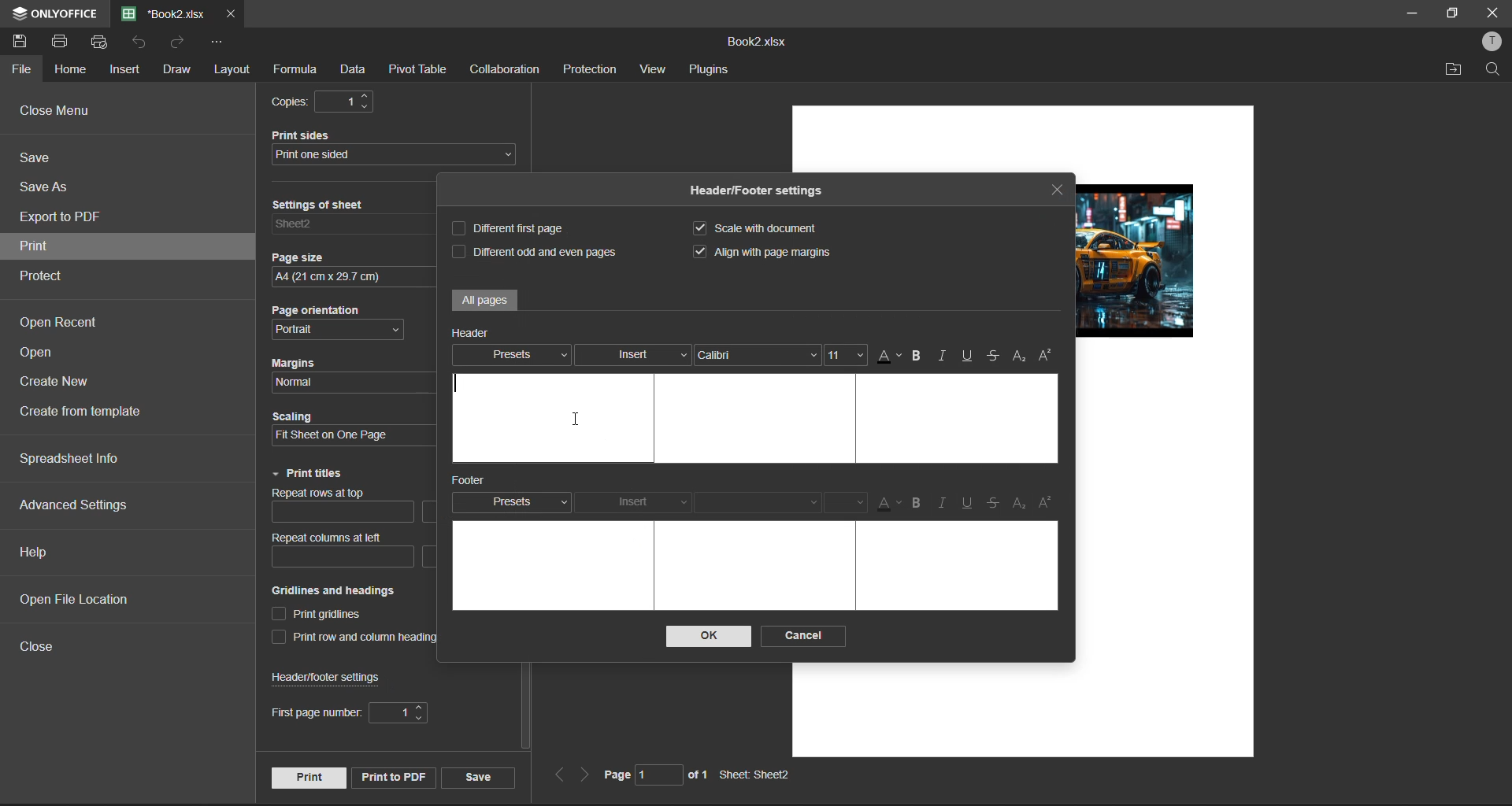 Image resolution: width=1512 pixels, height=806 pixels. I want to click on underline, so click(965, 357).